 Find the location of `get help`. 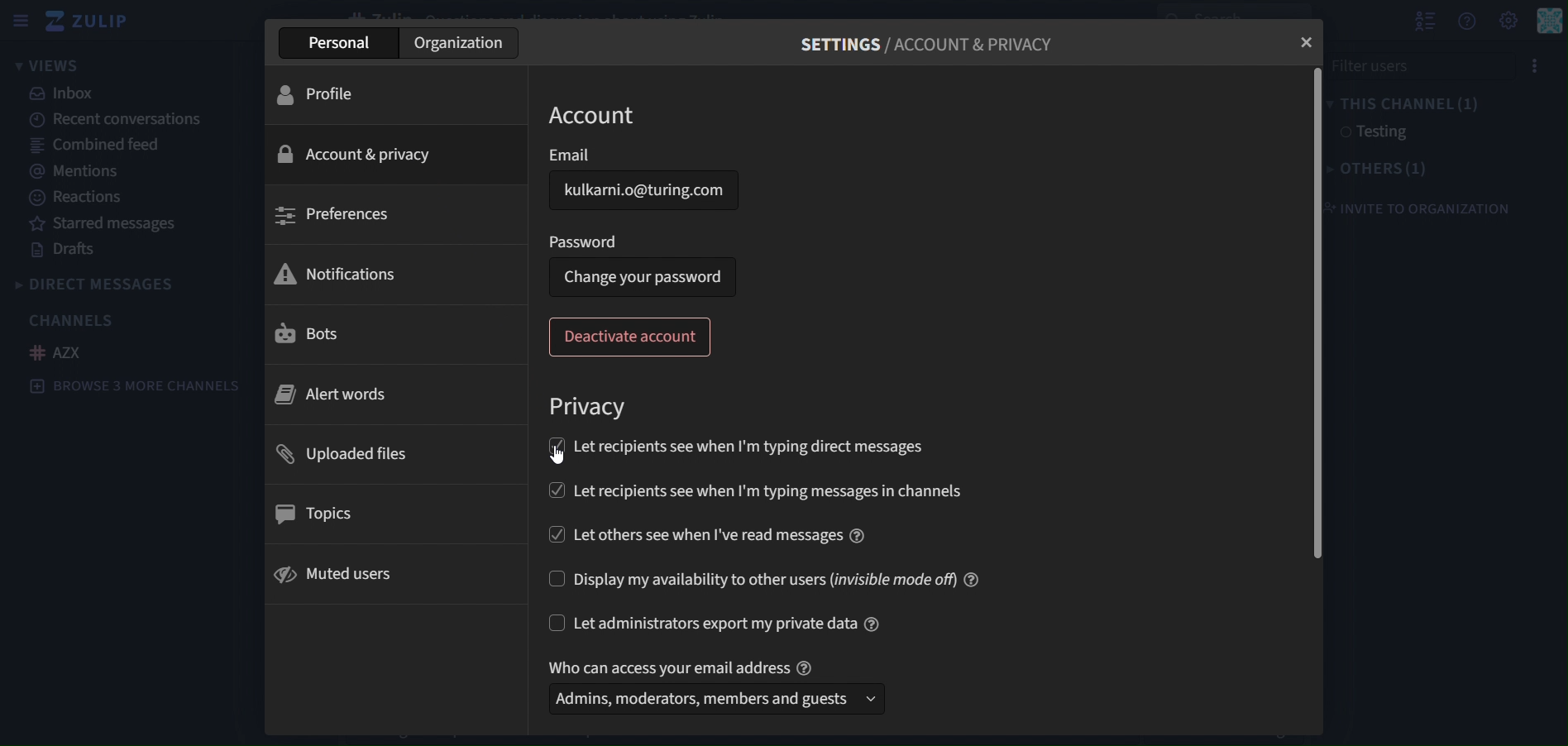

get help is located at coordinates (1467, 22).